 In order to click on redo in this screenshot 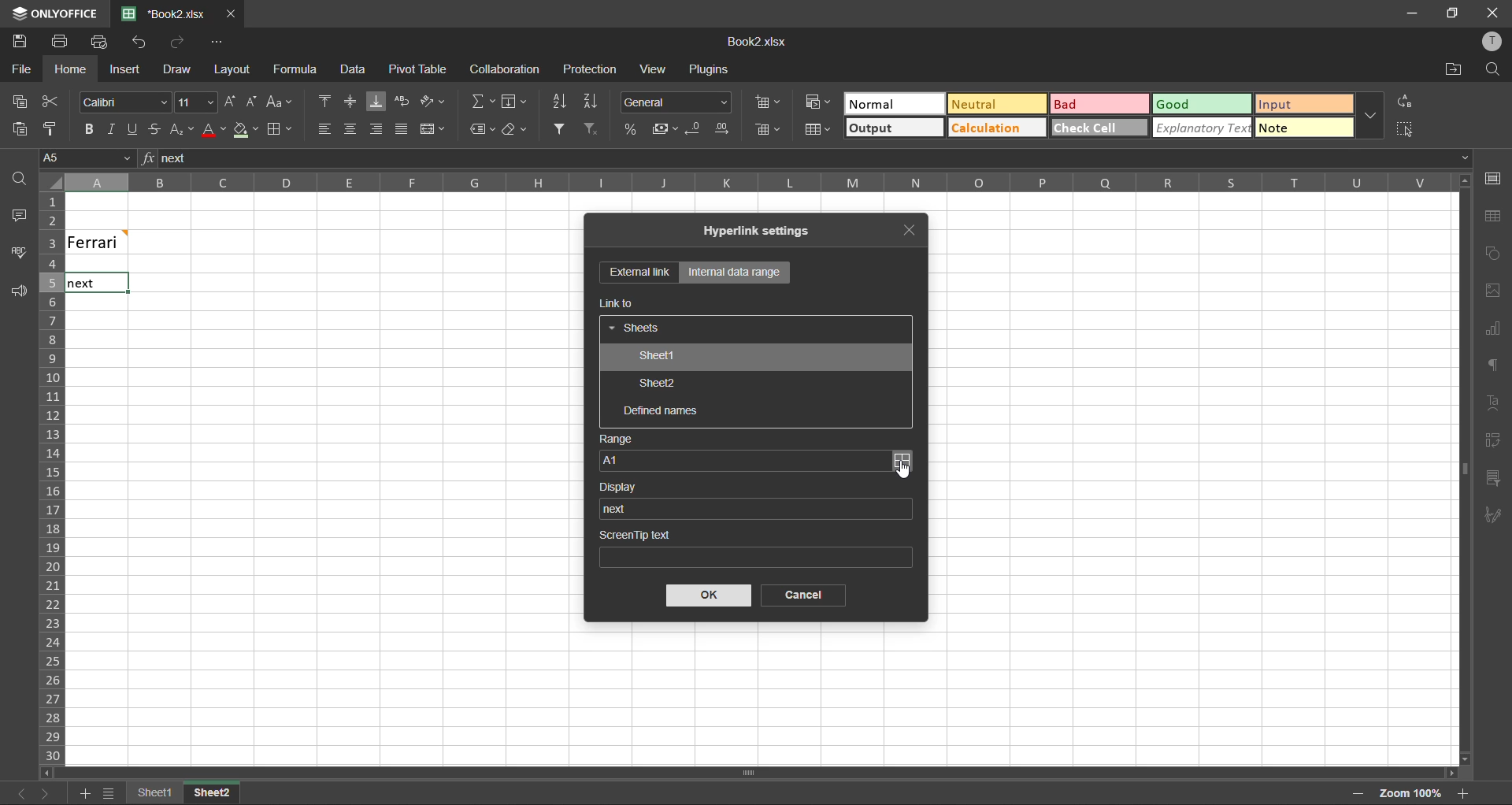, I will do `click(180, 42)`.